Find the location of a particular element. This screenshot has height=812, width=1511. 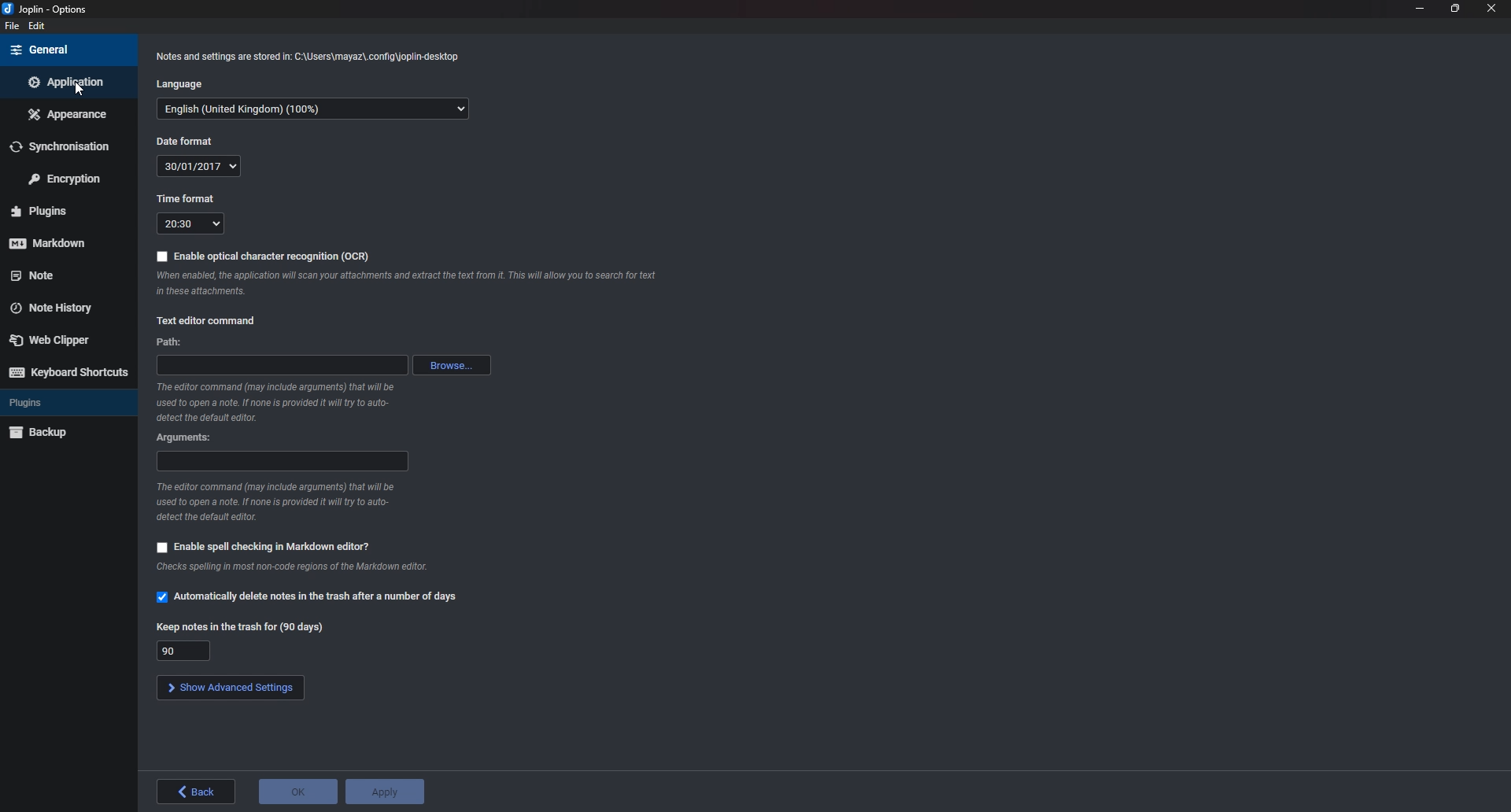

close is located at coordinates (1491, 9).